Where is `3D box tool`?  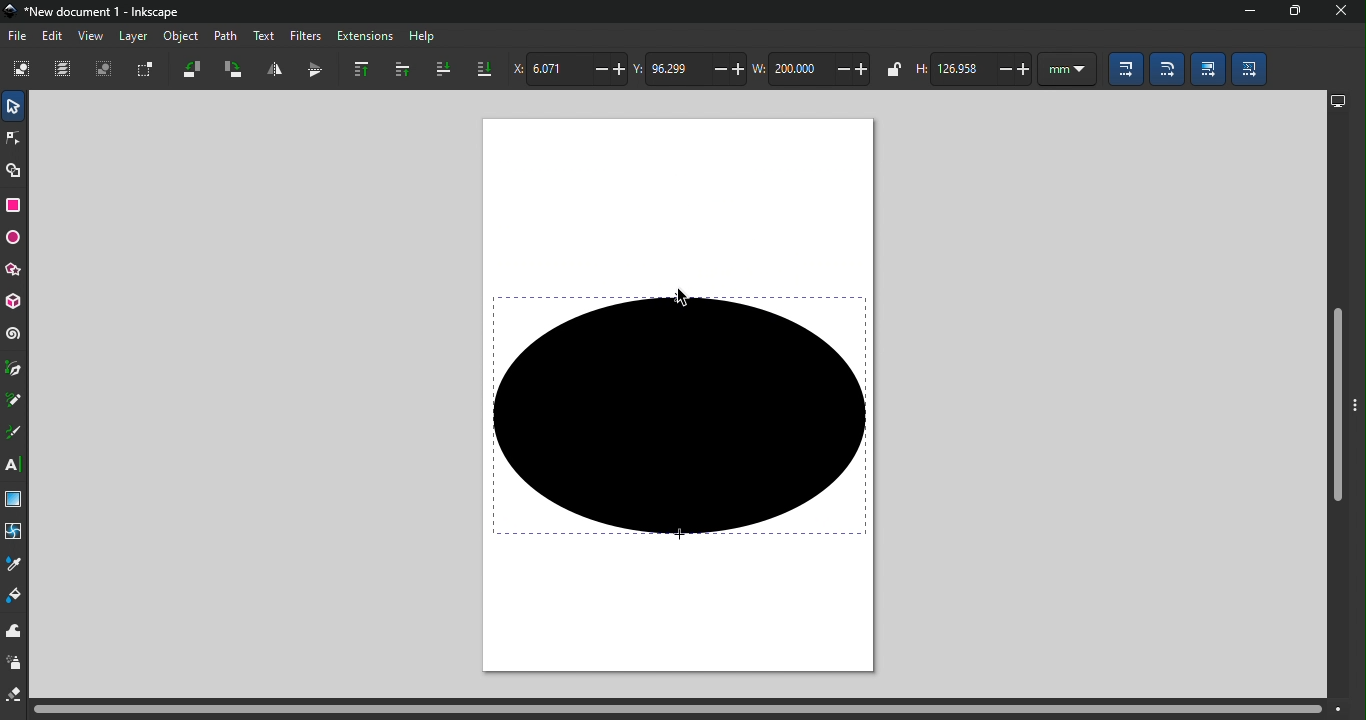 3D box tool is located at coordinates (16, 302).